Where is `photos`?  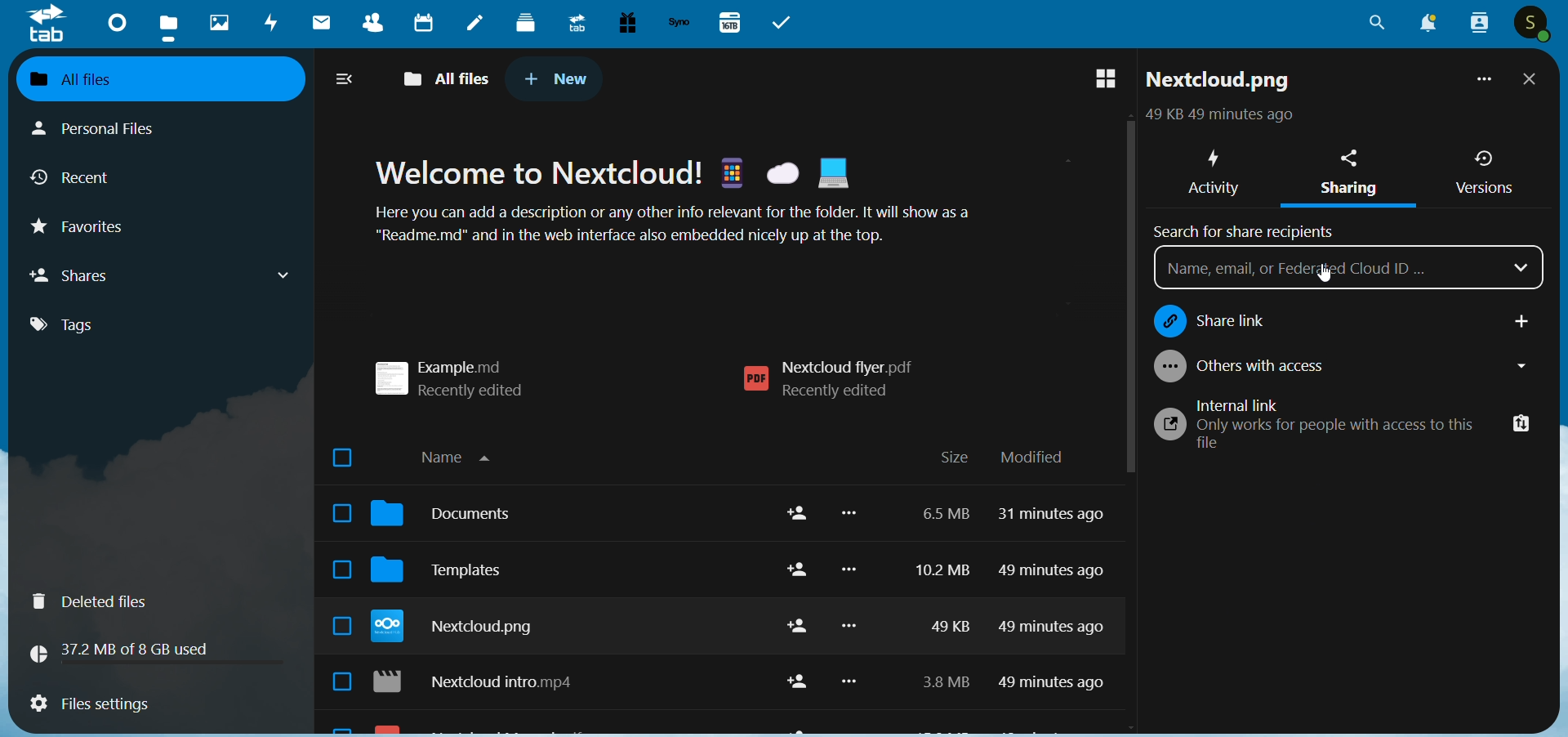 photos is located at coordinates (219, 23).